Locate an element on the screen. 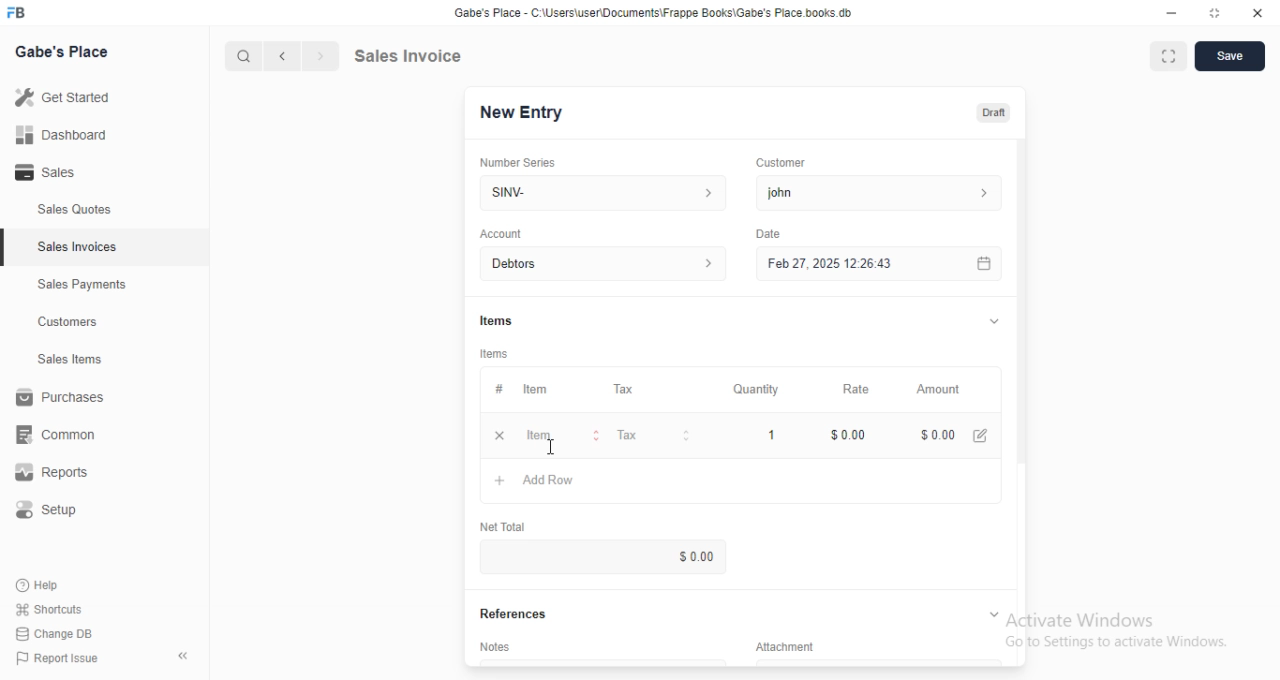 The height and width of the screenshot is (680, 1280). Tax is located at coordinates (628, 388).